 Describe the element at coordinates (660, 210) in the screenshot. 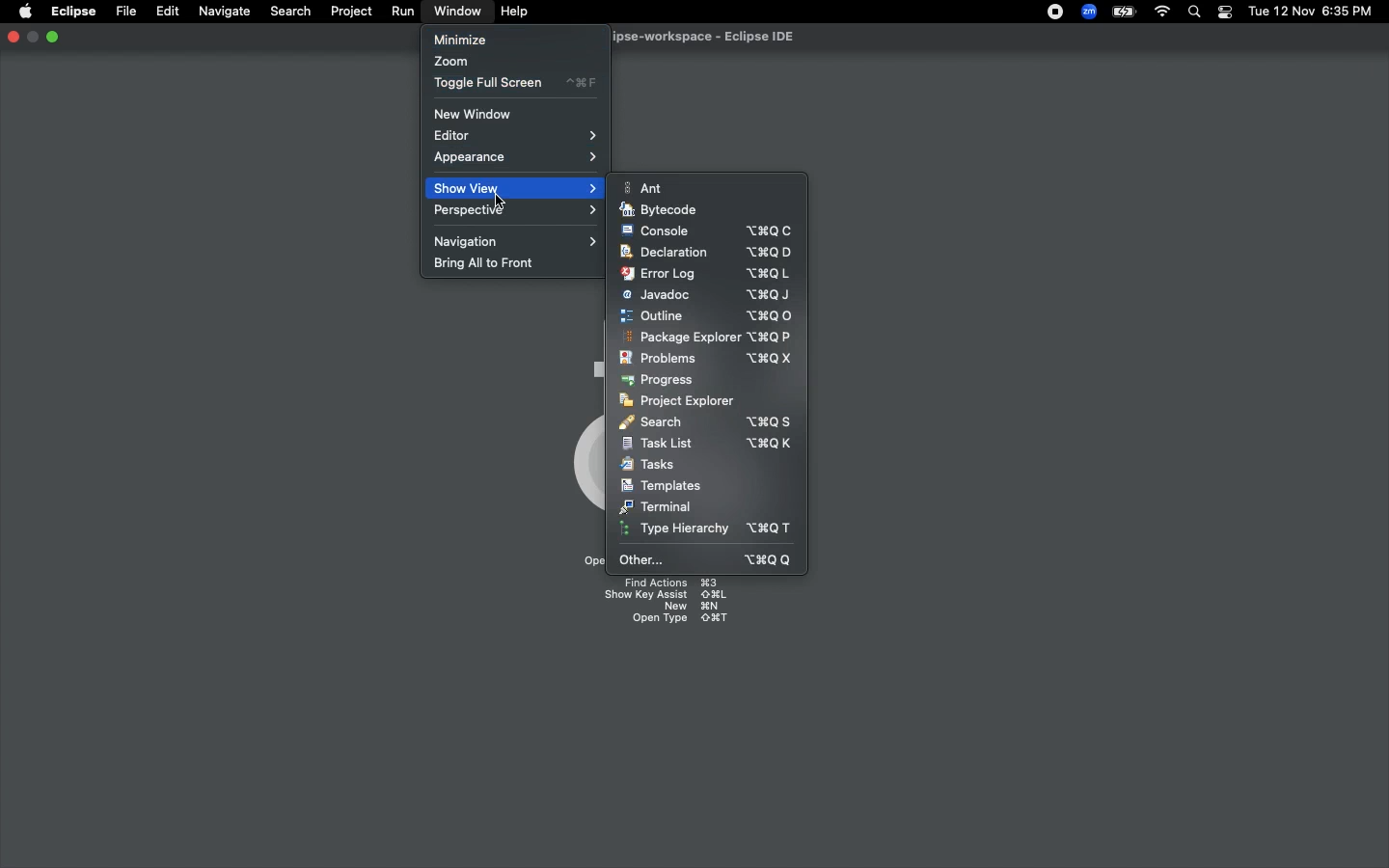

I see `Bytecode` at that location.